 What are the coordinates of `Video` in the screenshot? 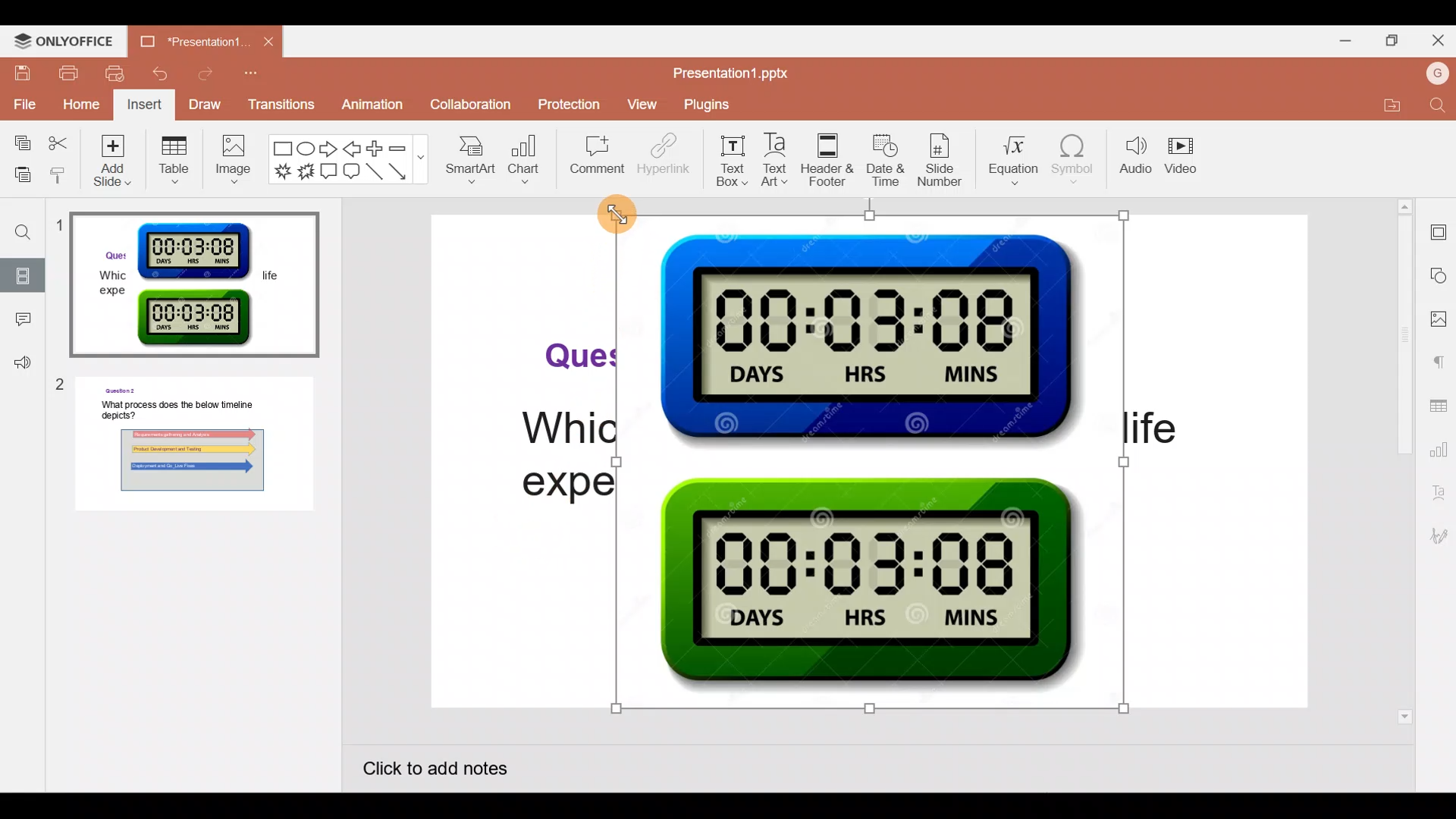 It's located at (1185, 152).